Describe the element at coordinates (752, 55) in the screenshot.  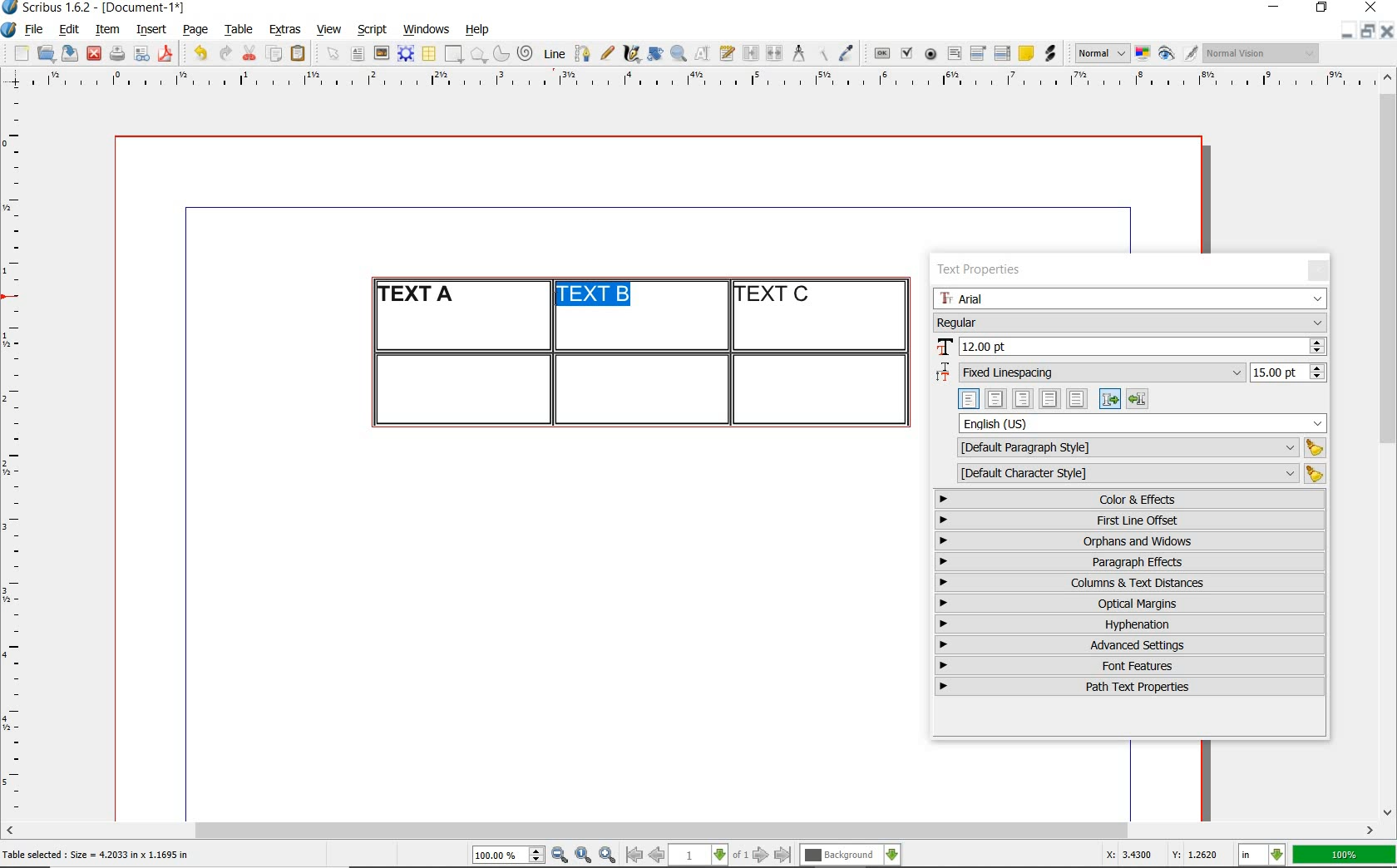
I see `link text frames` at that location.